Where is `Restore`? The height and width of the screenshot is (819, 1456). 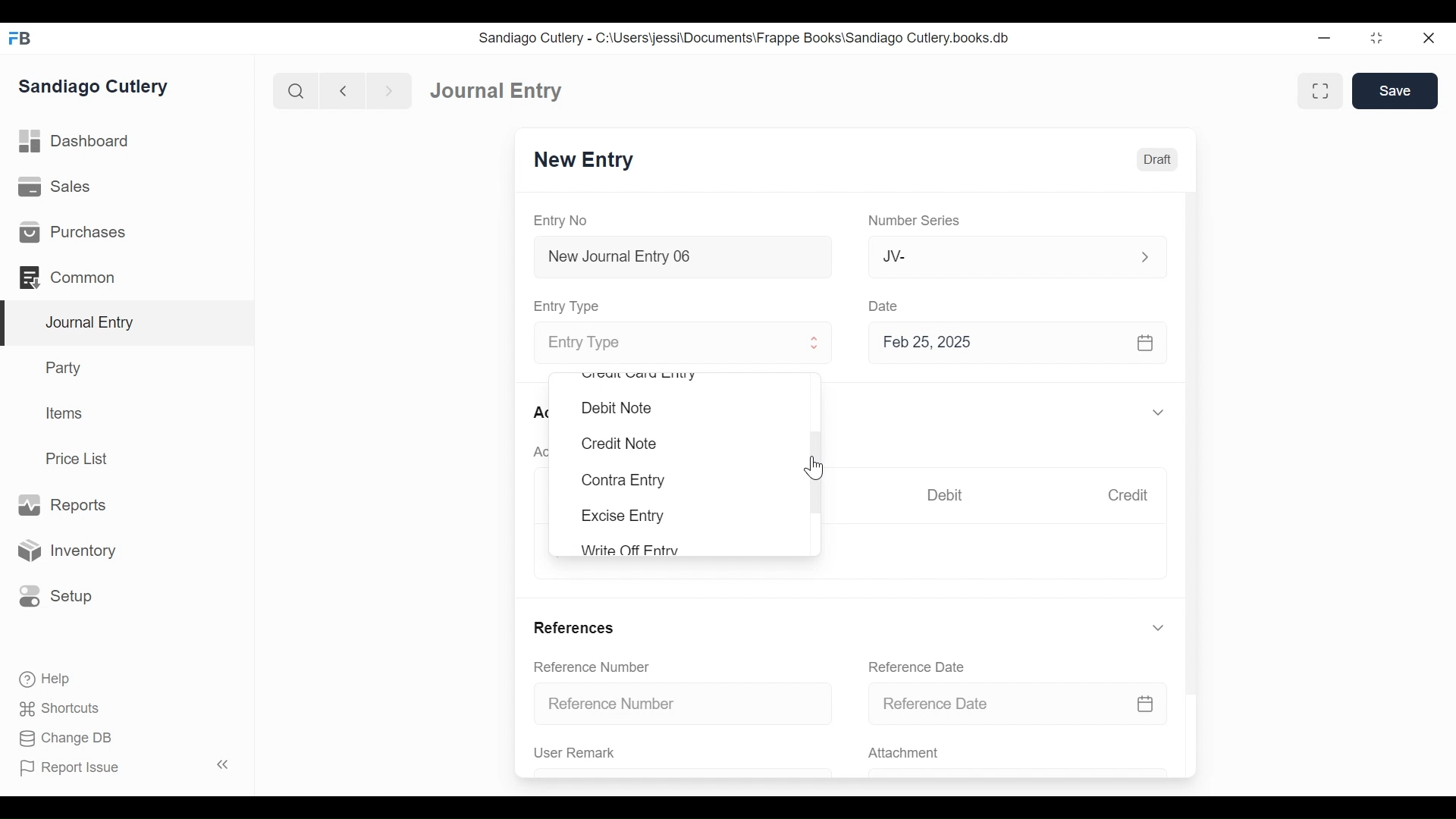
Restore is located at coordinates (1379, 37).